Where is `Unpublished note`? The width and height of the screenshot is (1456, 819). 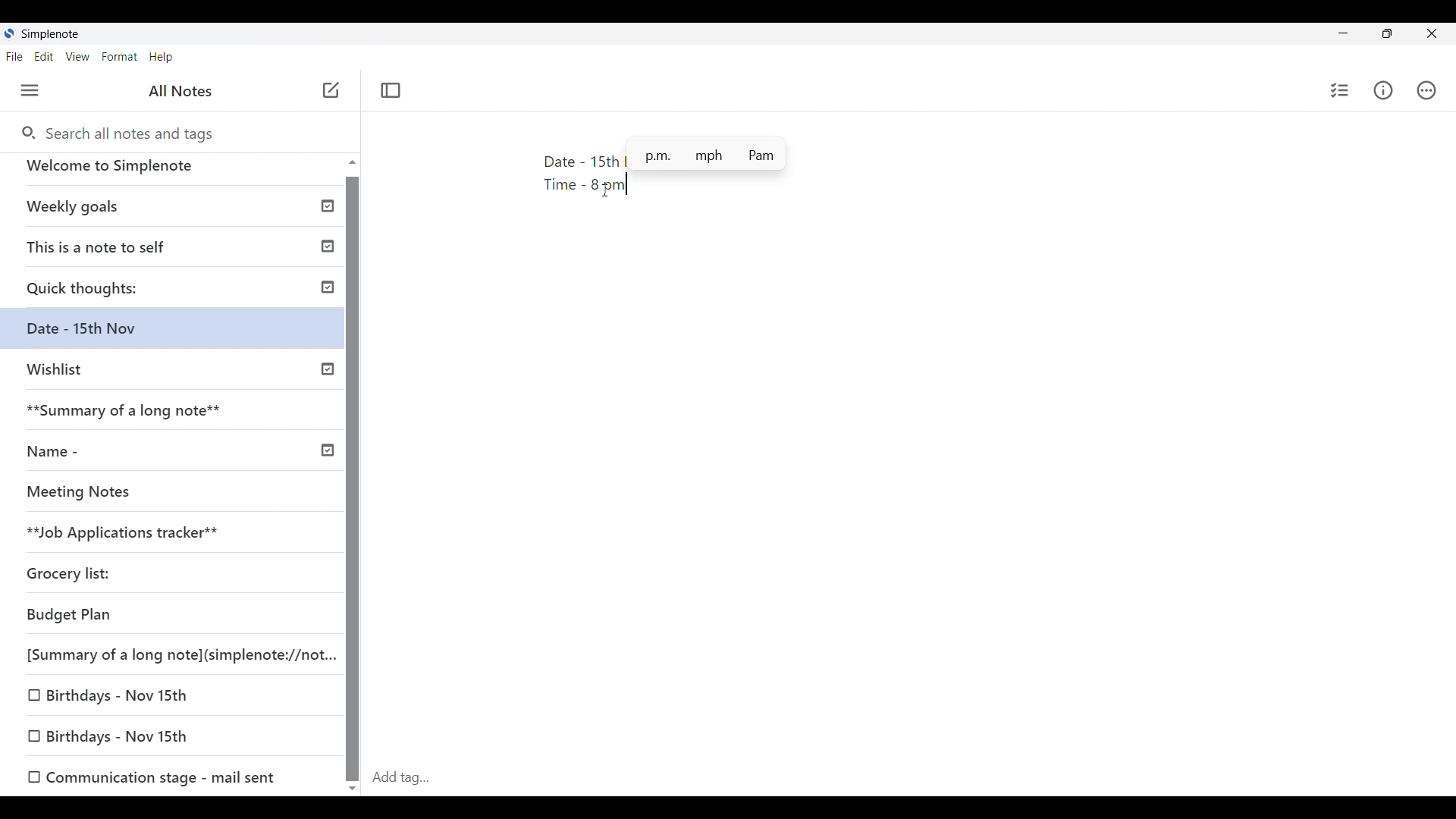 Unpublished note is located at coordinates (177, 376).